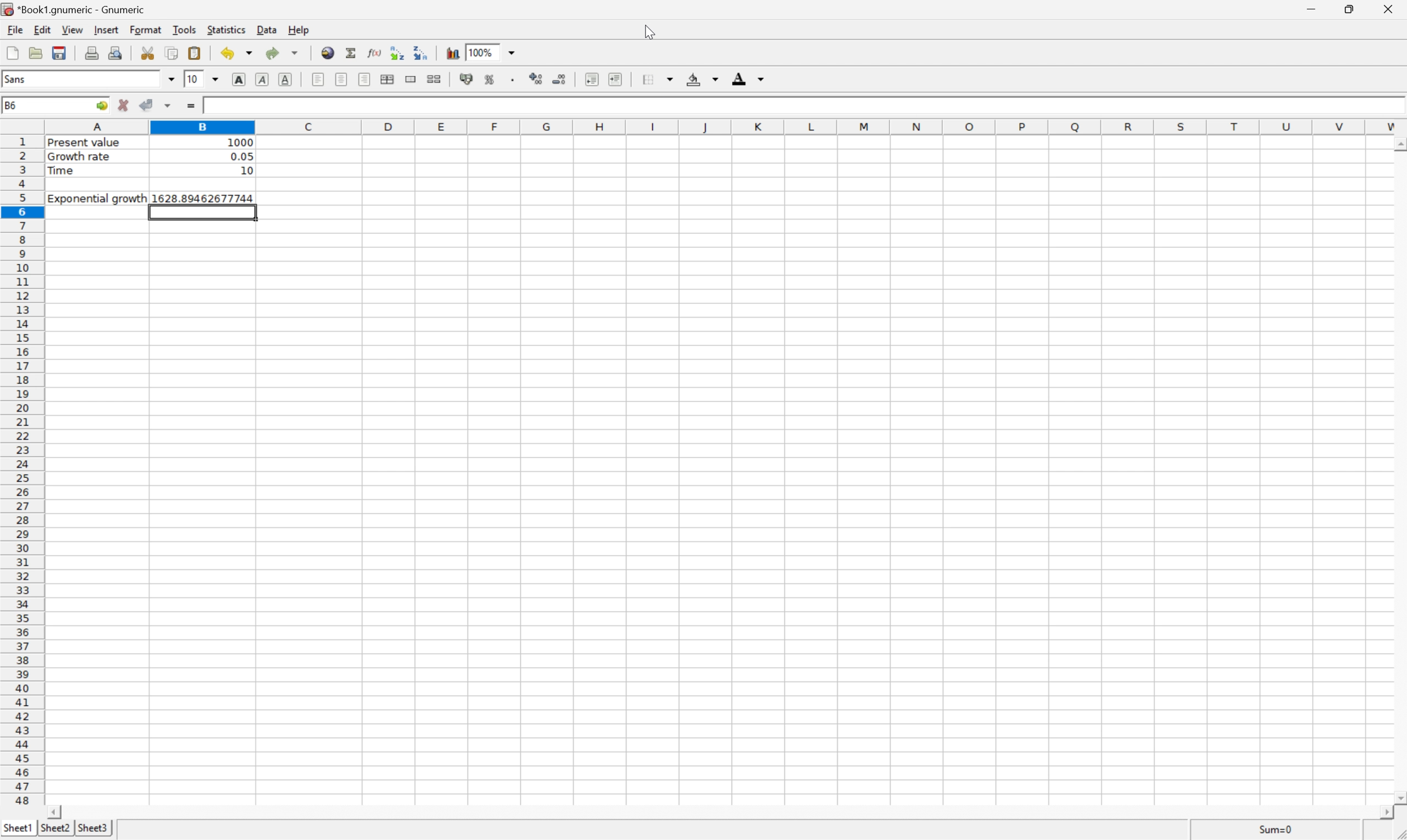  I want to click on Increase indent, and align the contents to the left, so click(421, 53).